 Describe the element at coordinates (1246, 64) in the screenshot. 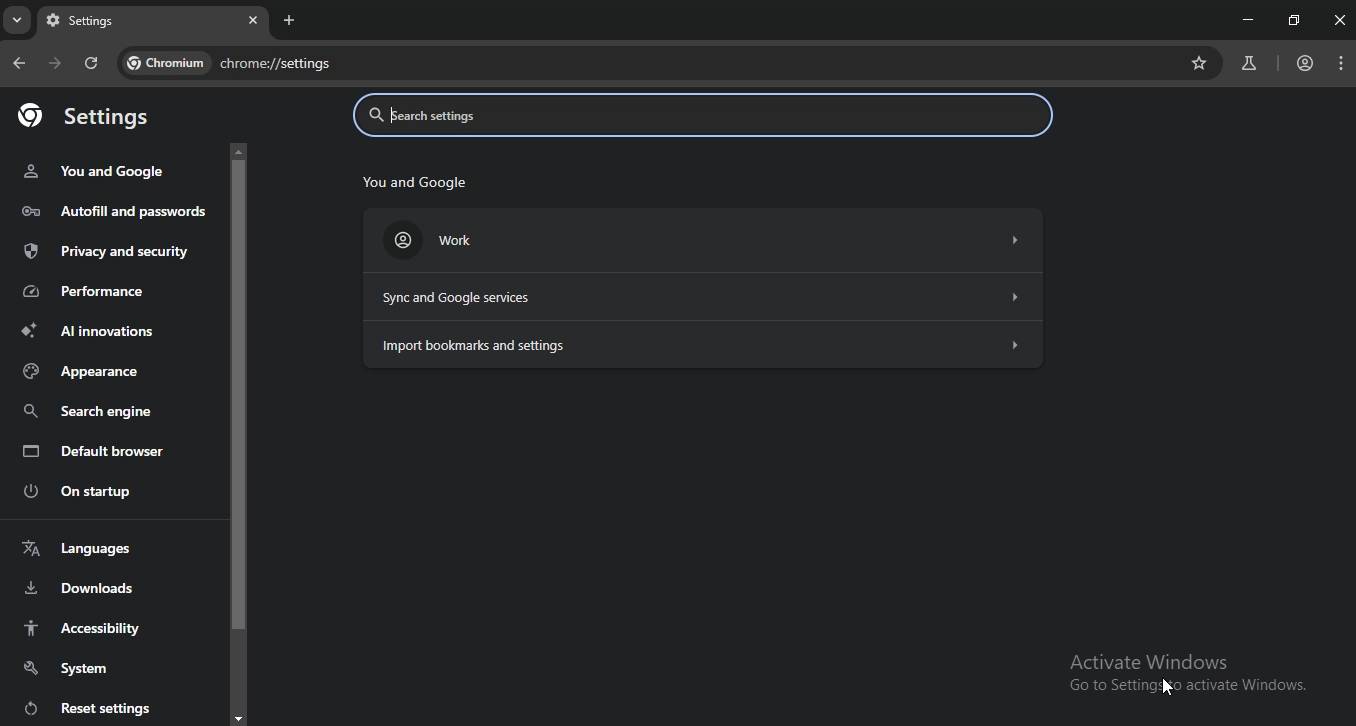

I see `search labs` at that location.